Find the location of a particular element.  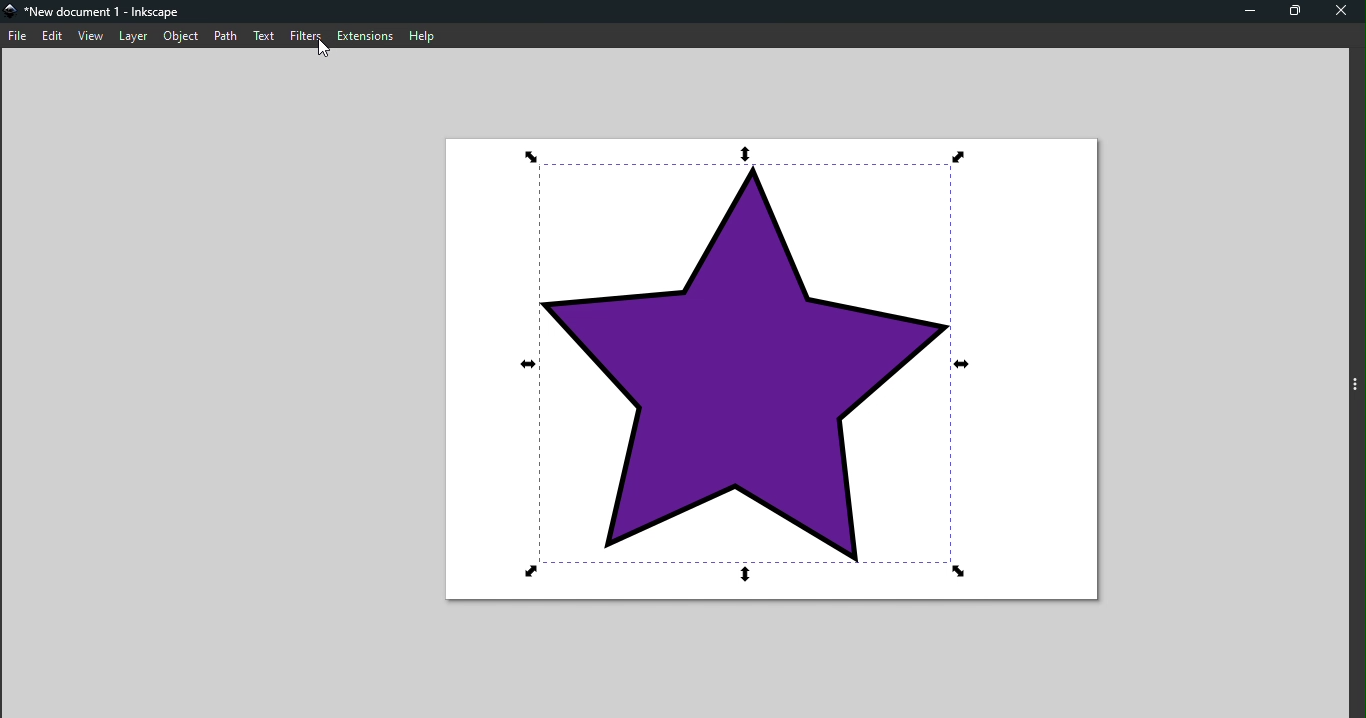

Extensions is located at coordinates (361, 34).